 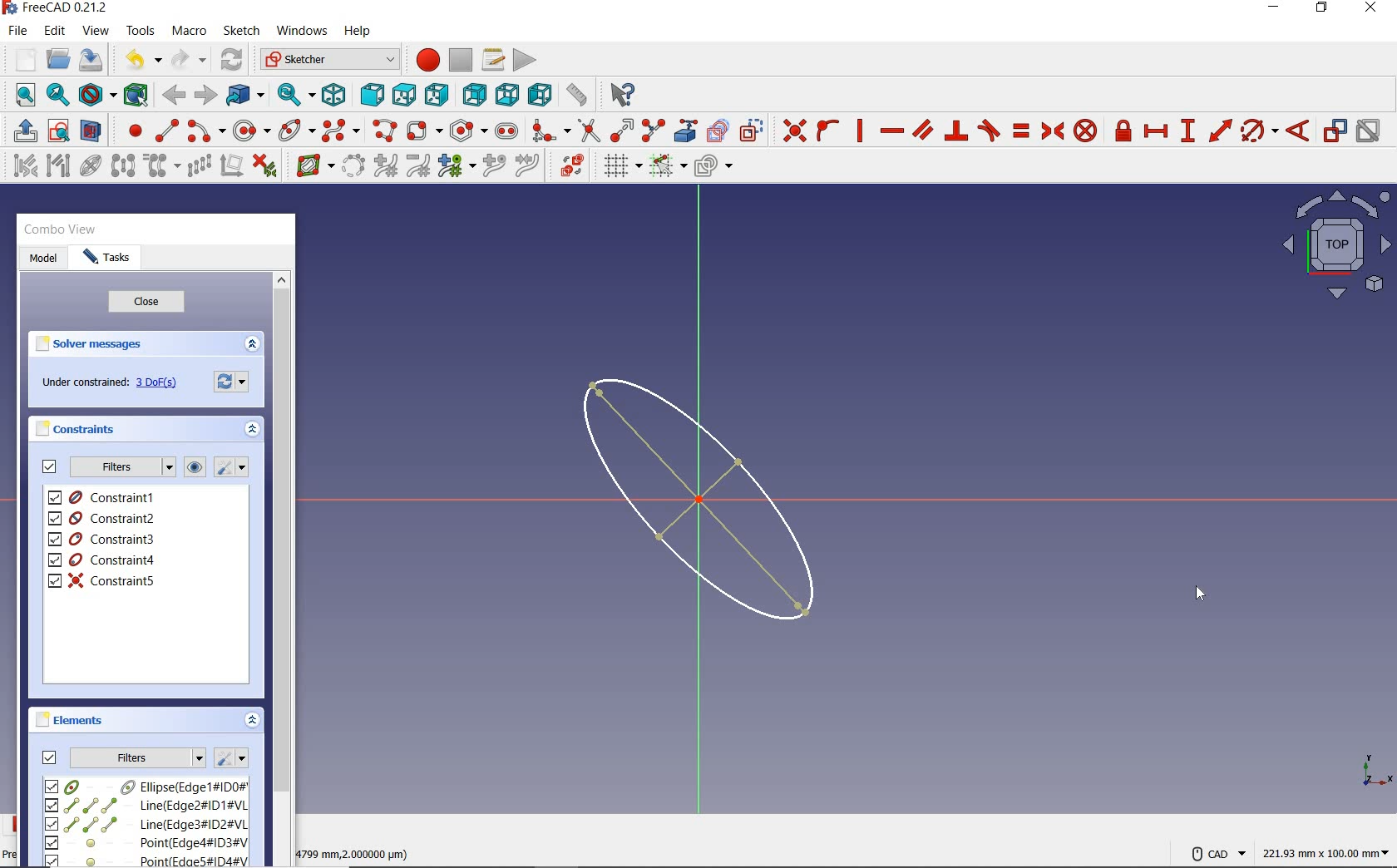 I want to click on element4, so click(x=146, y=842).